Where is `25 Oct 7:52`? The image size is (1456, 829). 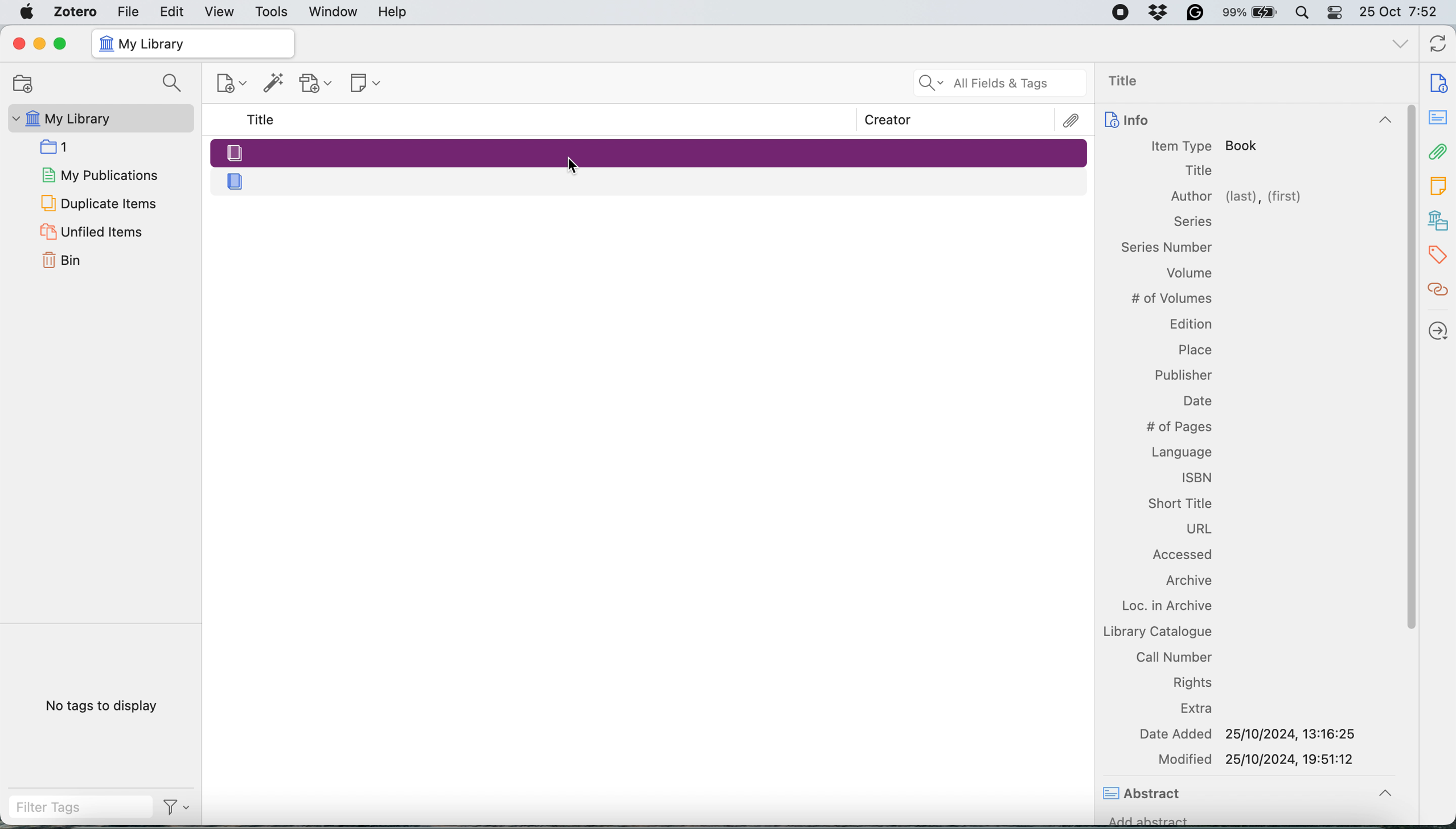
25 Oct 7:52 is located at coordinates (1404, 13).